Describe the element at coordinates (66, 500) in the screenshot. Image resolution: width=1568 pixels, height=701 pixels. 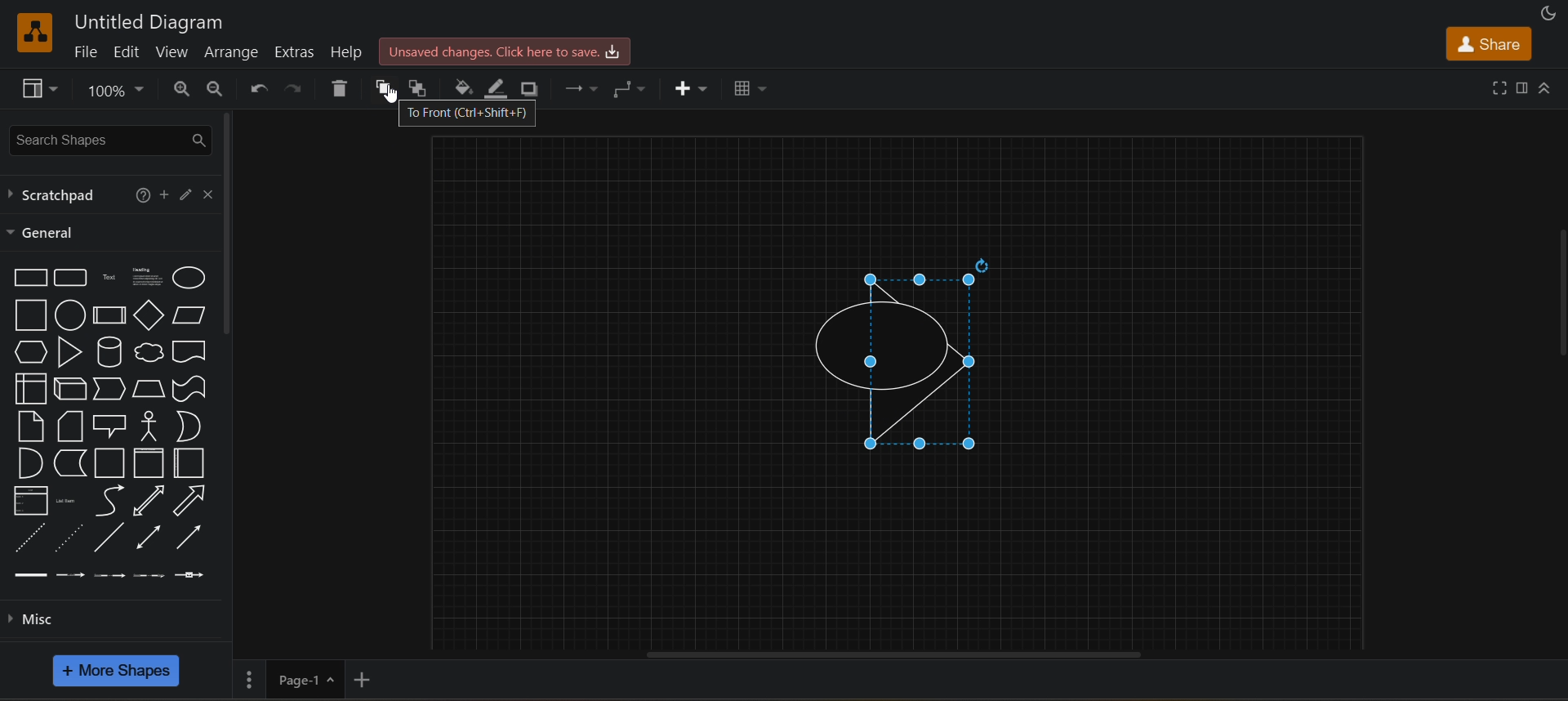
I see `list item` at that location.